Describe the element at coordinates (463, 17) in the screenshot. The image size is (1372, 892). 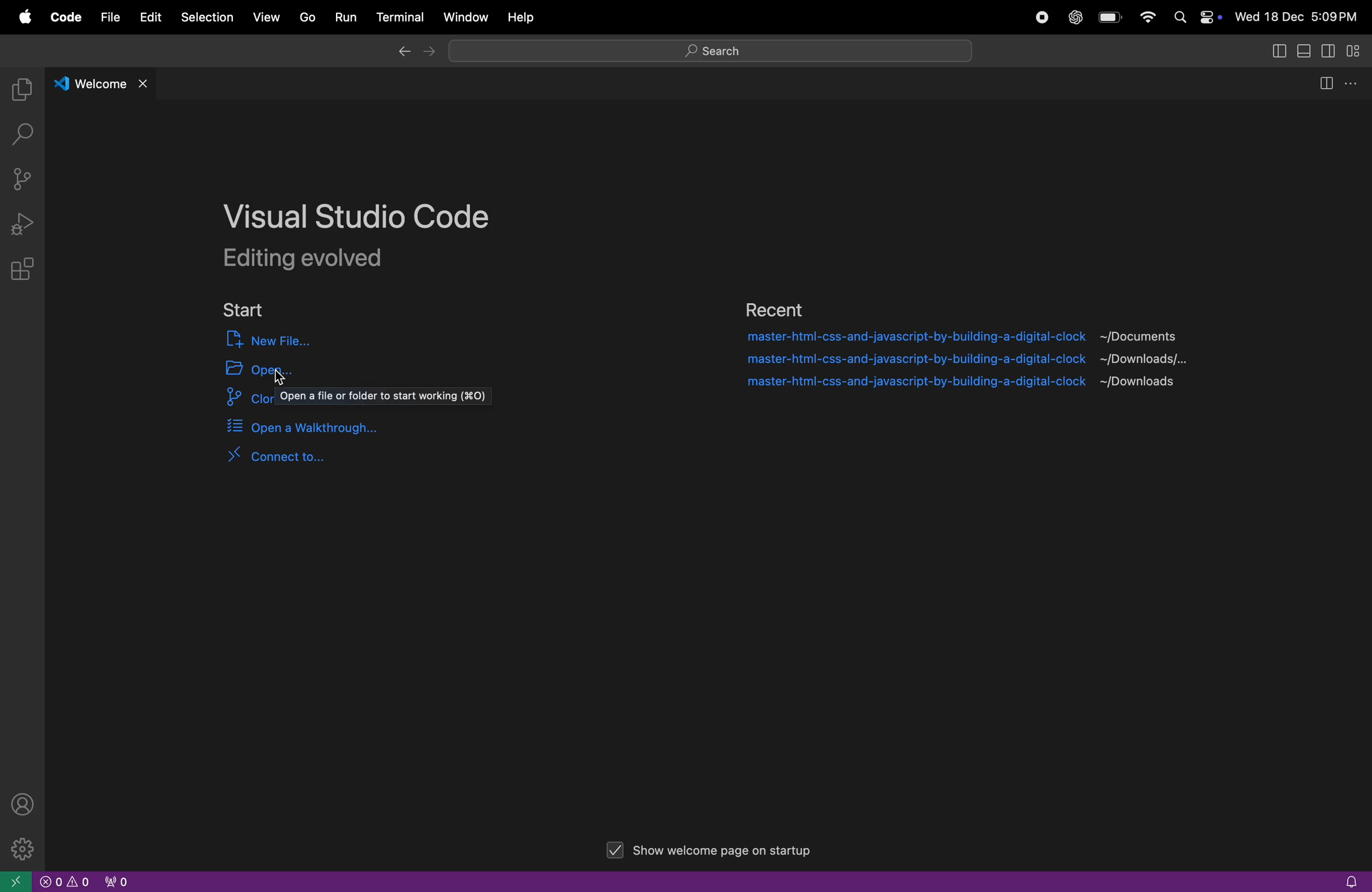
I see `window` at that location.